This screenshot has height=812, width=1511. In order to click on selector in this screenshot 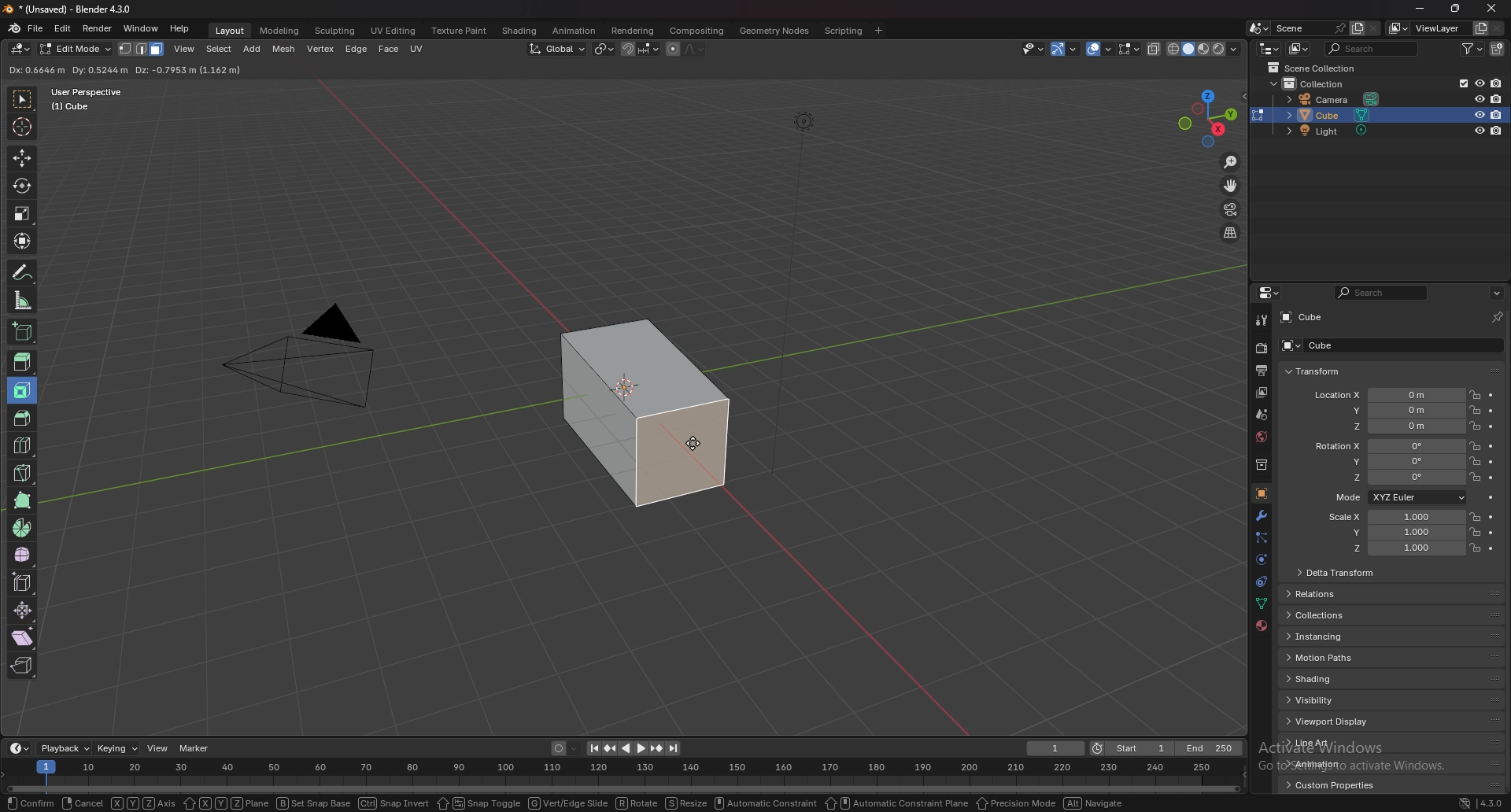, I will do `click(22, 98)`.